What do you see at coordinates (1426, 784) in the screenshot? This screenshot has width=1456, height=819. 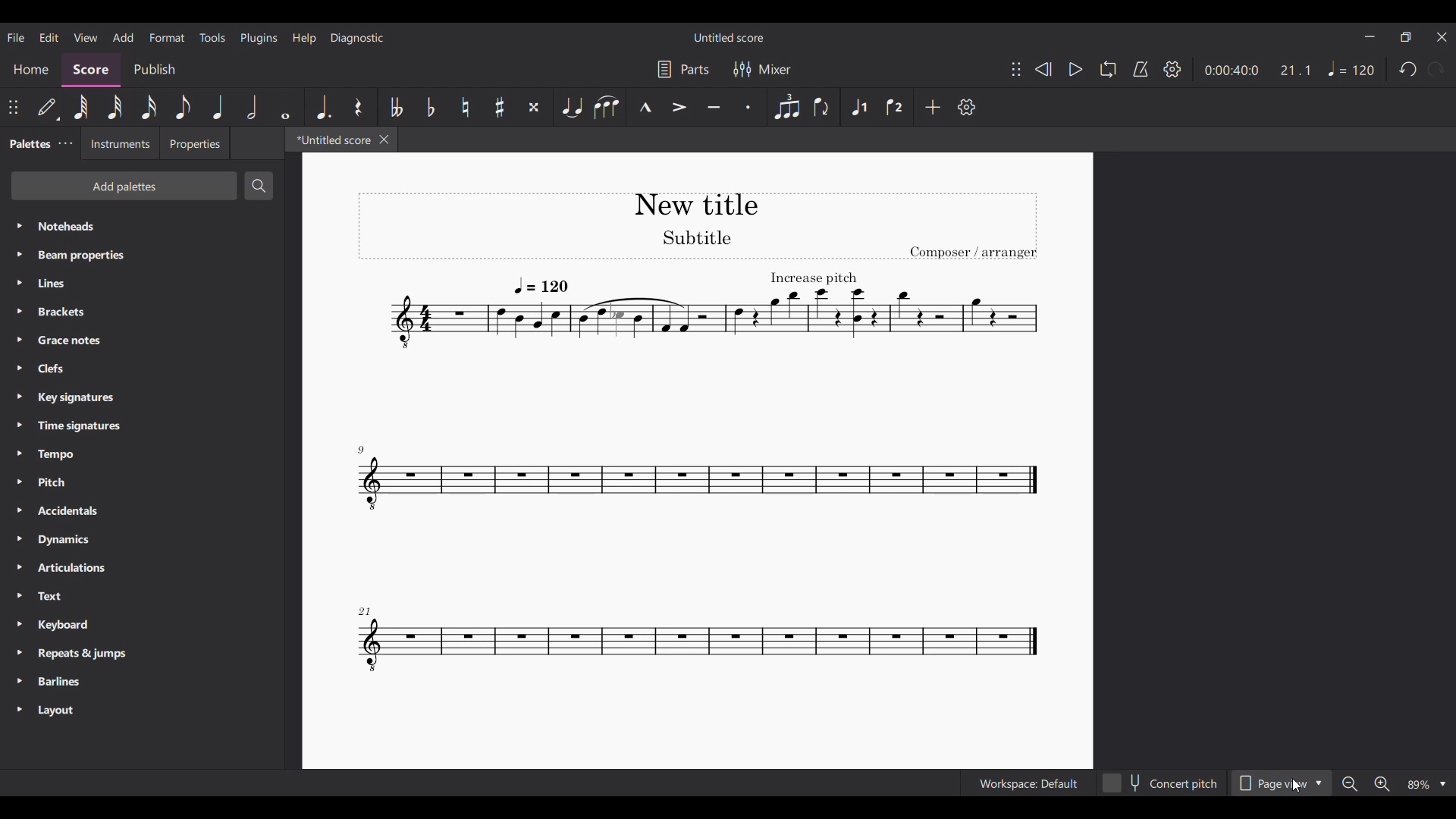 I see `Zoom options` at bounding box center [1426, 784].